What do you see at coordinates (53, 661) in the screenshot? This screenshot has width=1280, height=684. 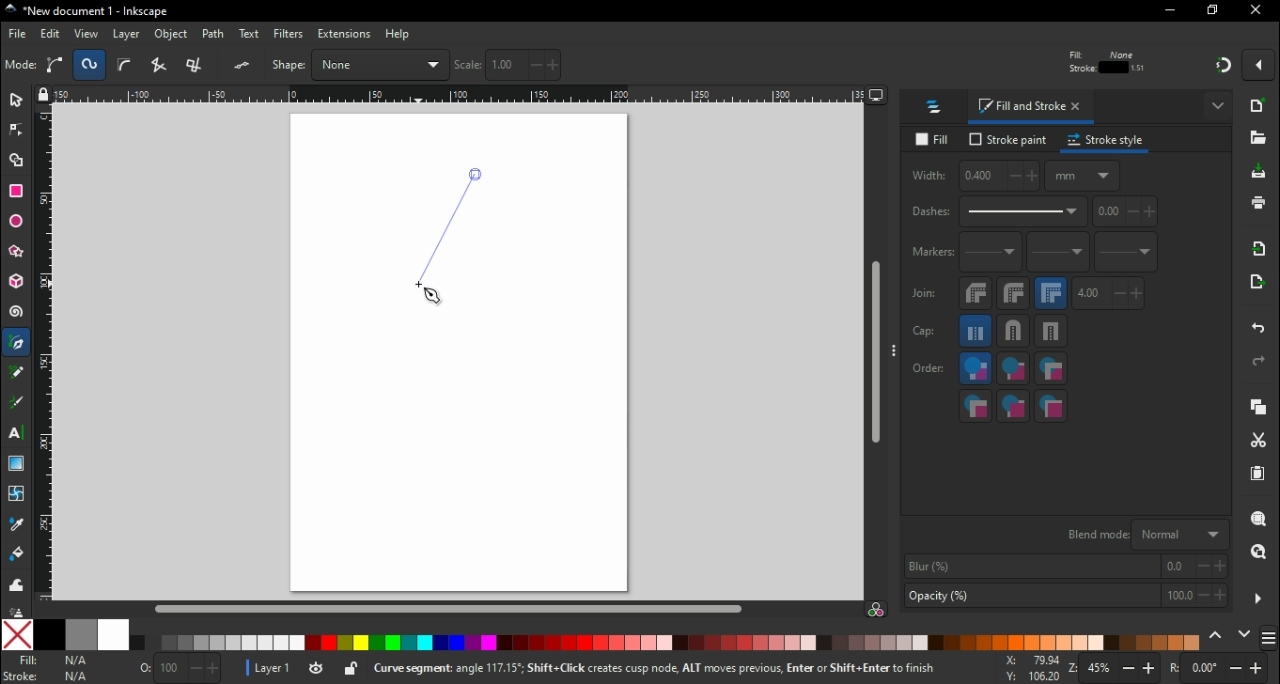 I see `fill color` at bounding box center [53, 661].